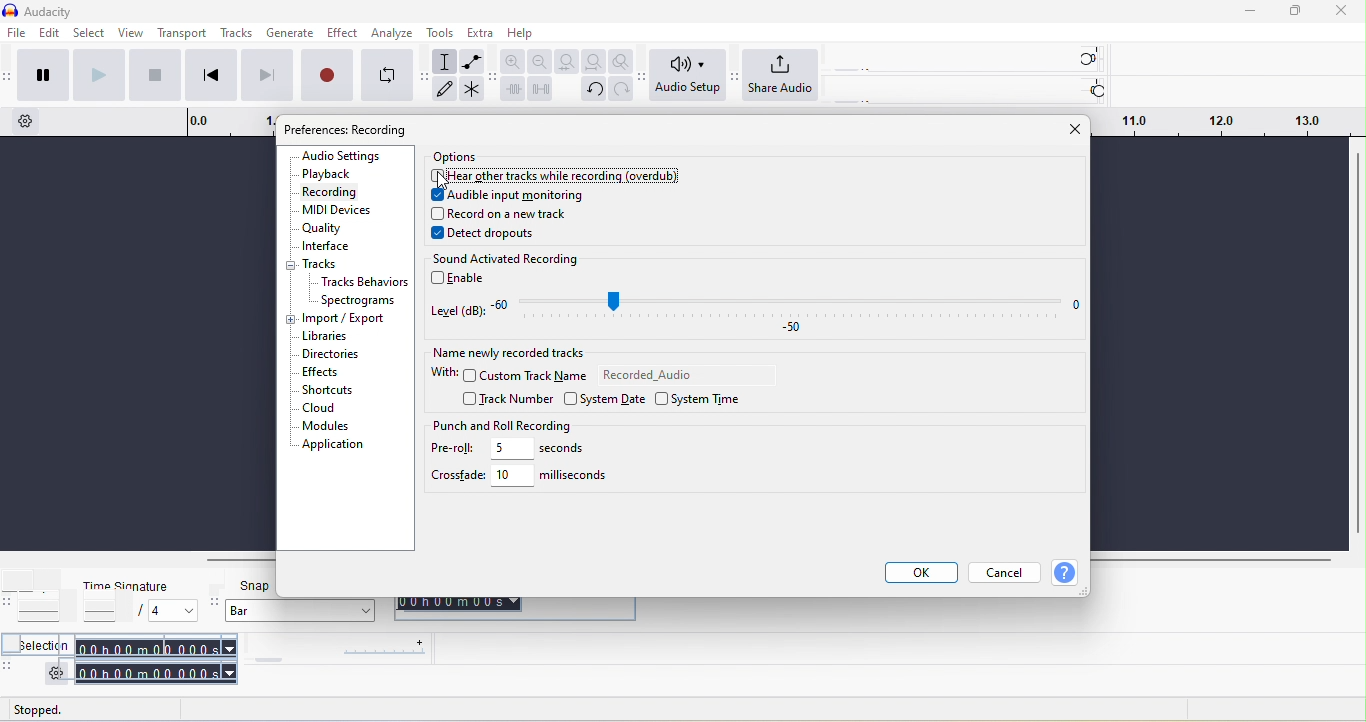 This screenshot has height=722, width=1366. I want to click on multi tool, so click(473, 88).